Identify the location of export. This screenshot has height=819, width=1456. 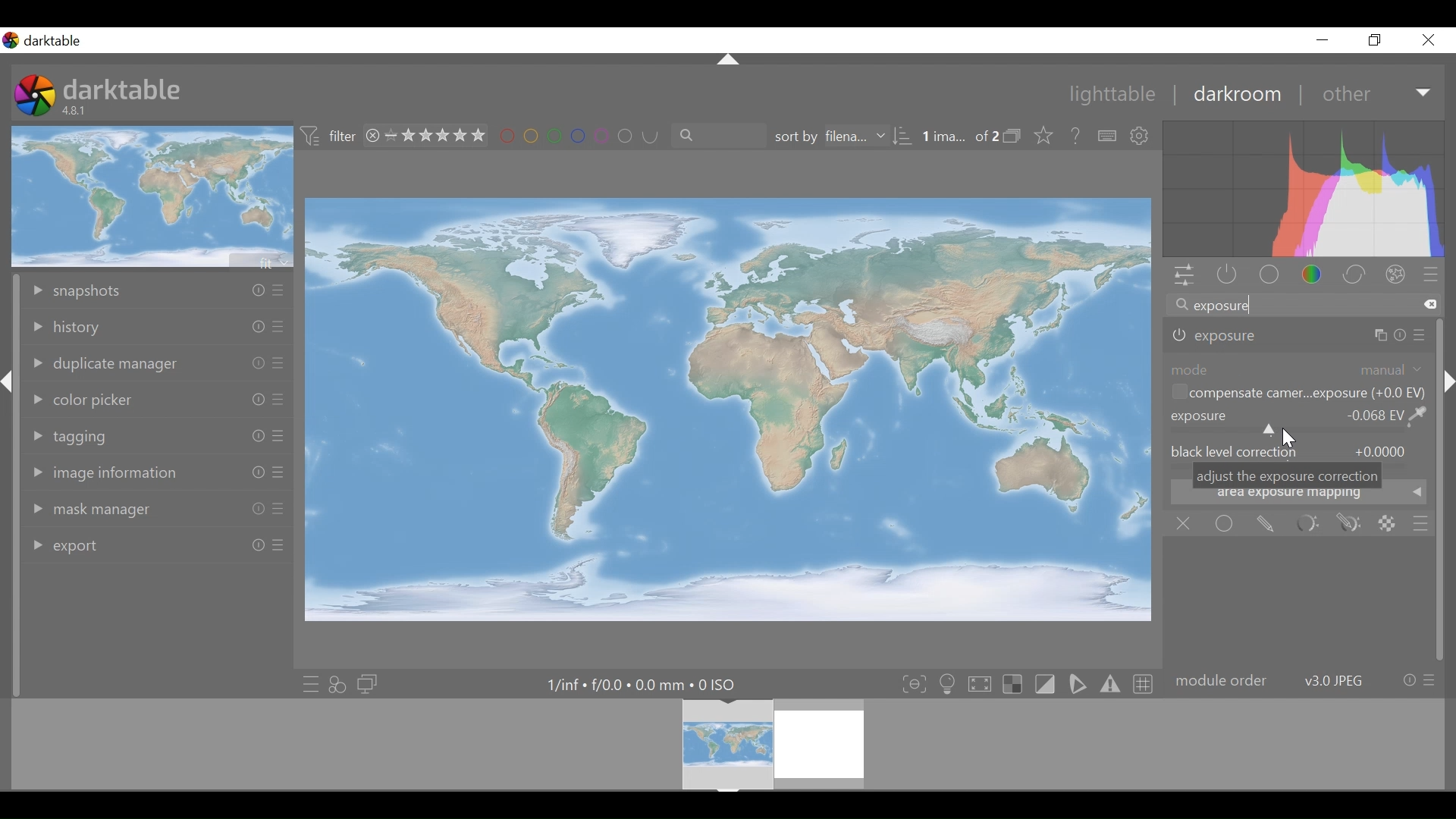
(157, 545).